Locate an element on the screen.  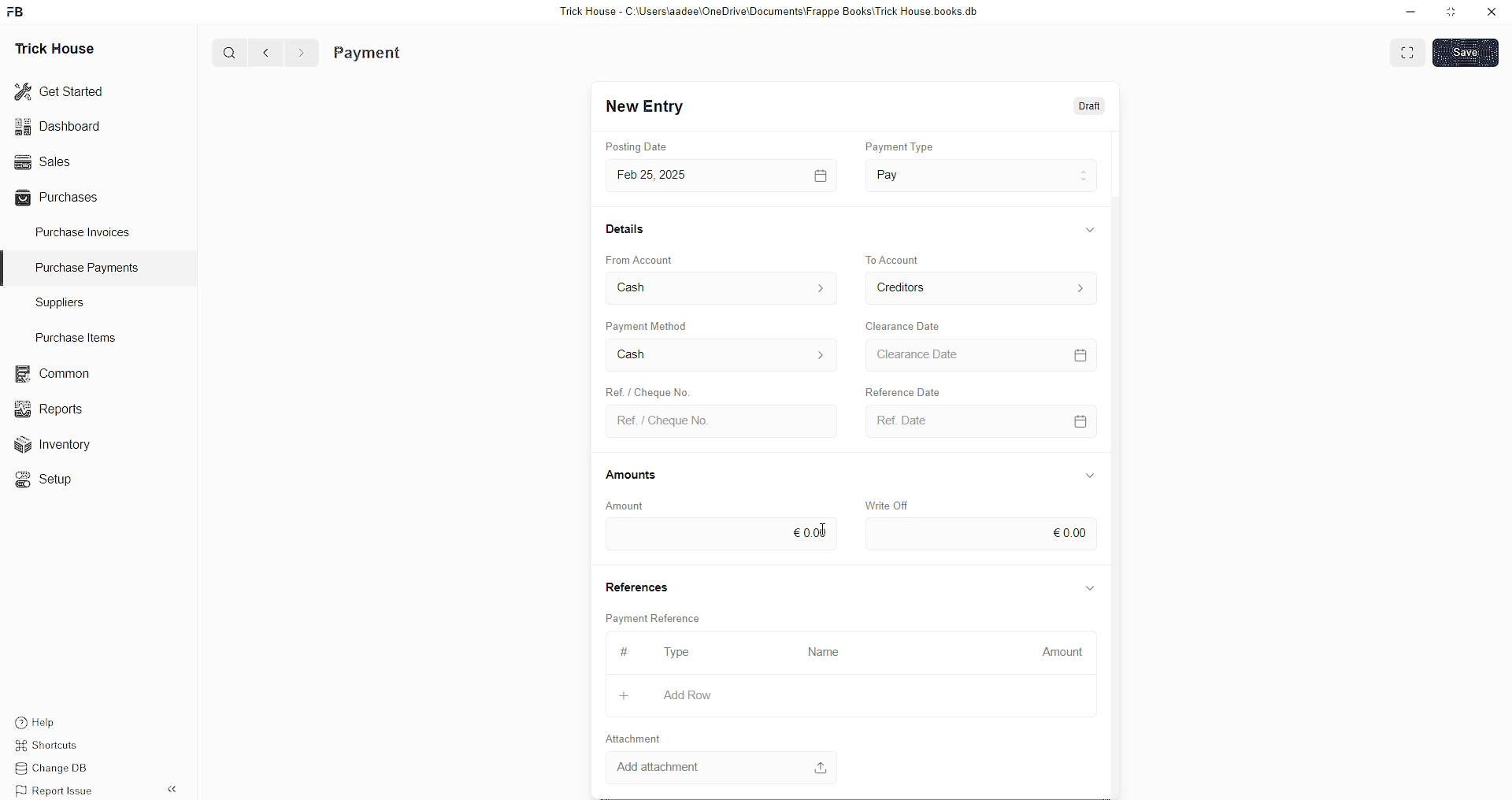
Cash is located at coordinates (624, 353).